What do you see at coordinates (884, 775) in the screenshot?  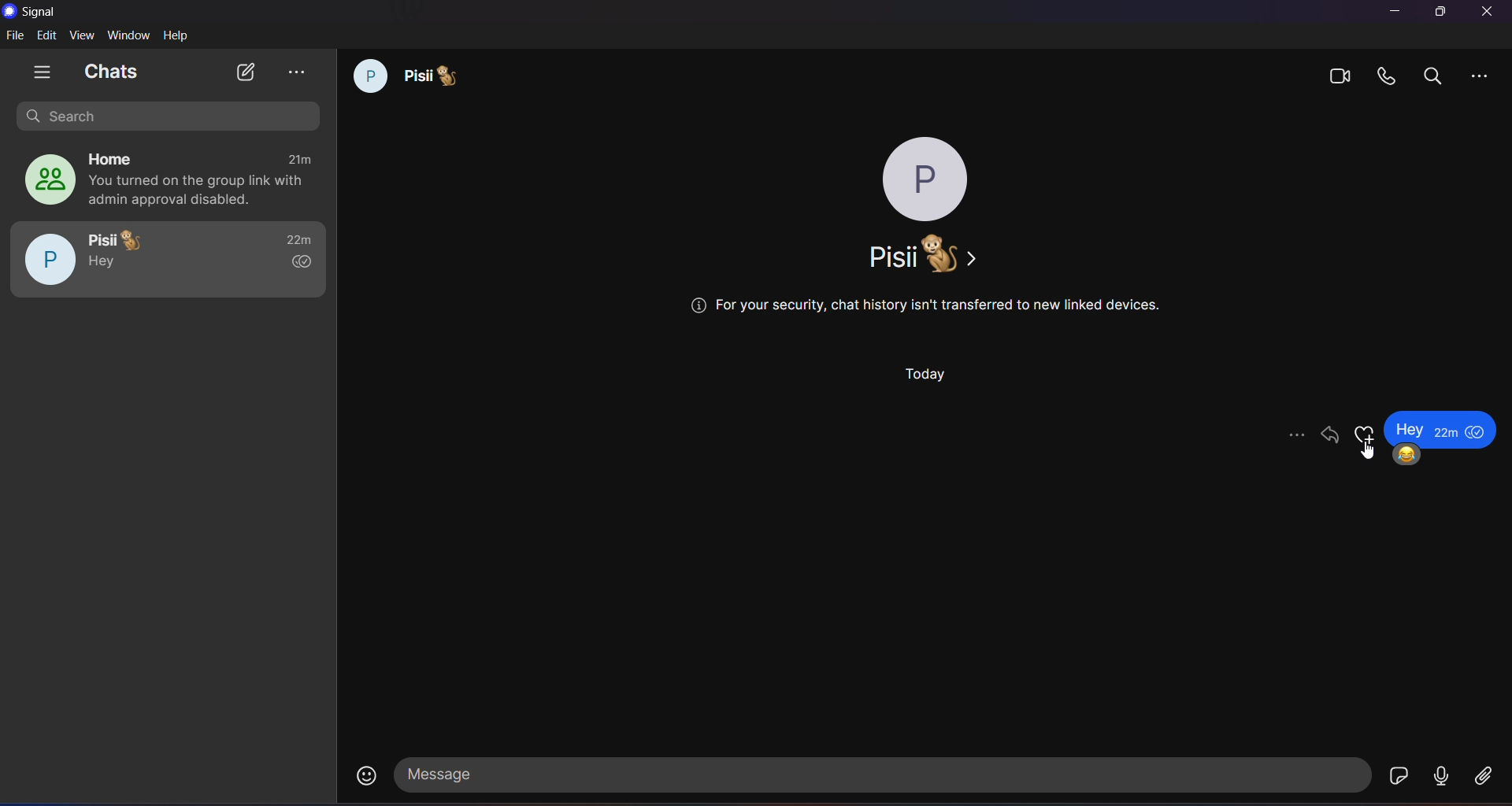 I see `message` at bounding box center [884, 775].